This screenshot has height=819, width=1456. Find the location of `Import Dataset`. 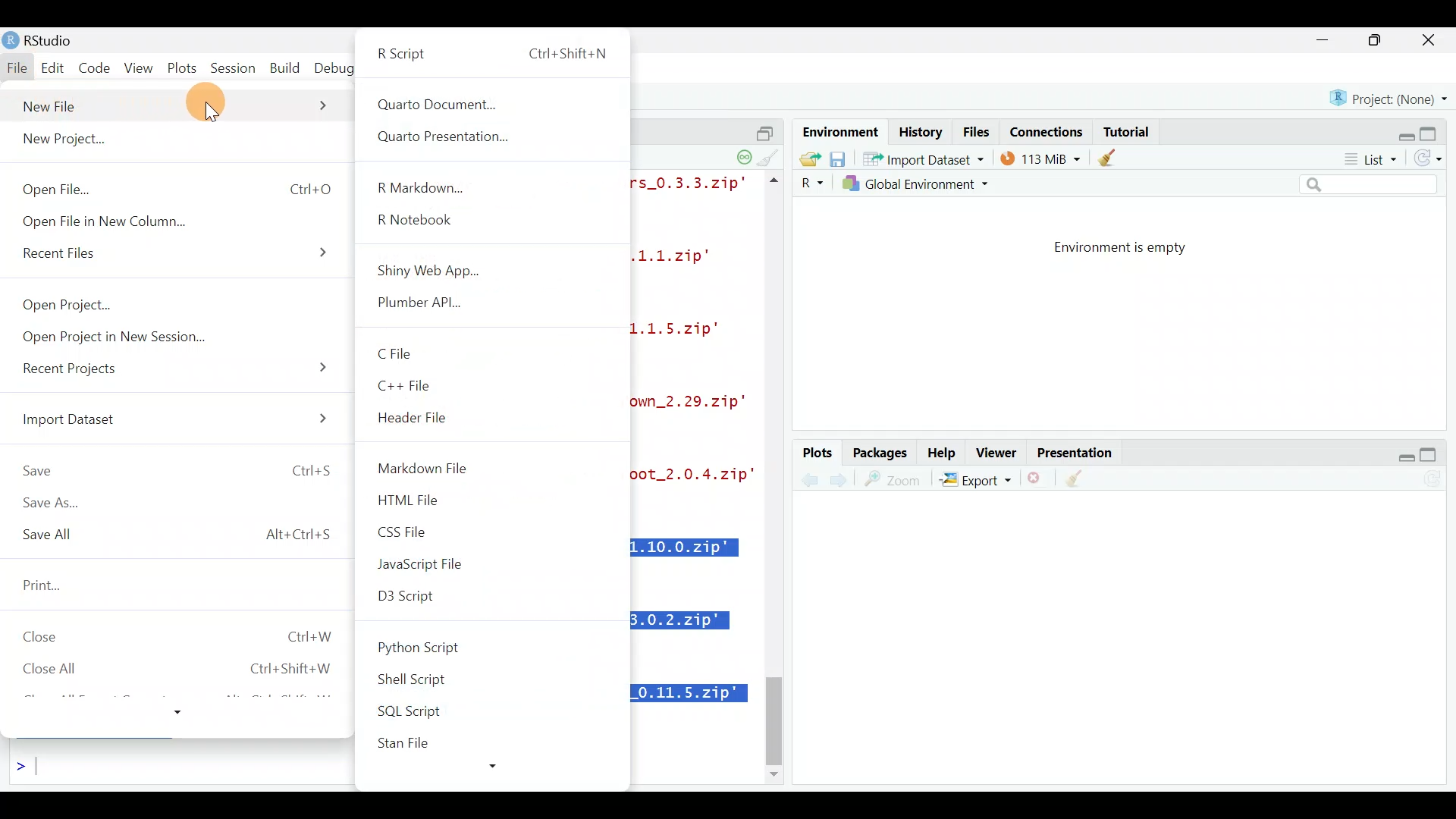

Import Dataset is located at coordinates (176, 422).